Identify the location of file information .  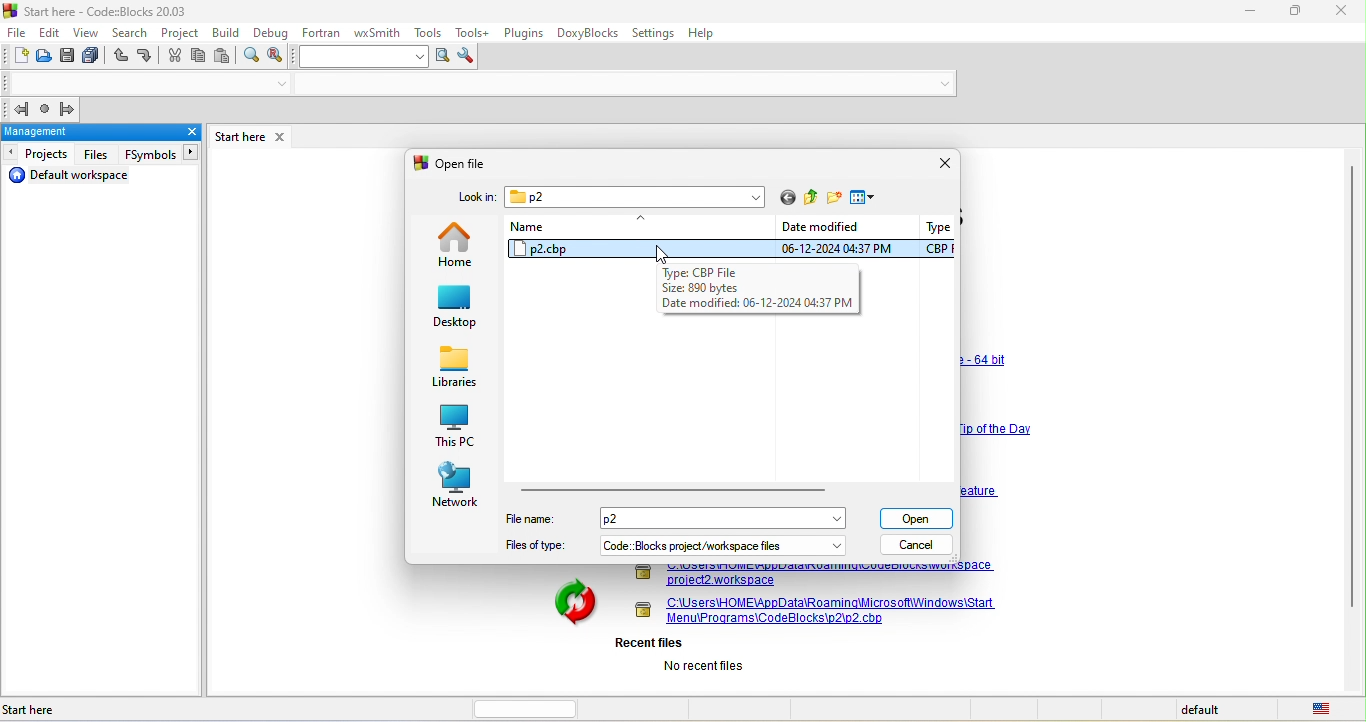
(756, 288).